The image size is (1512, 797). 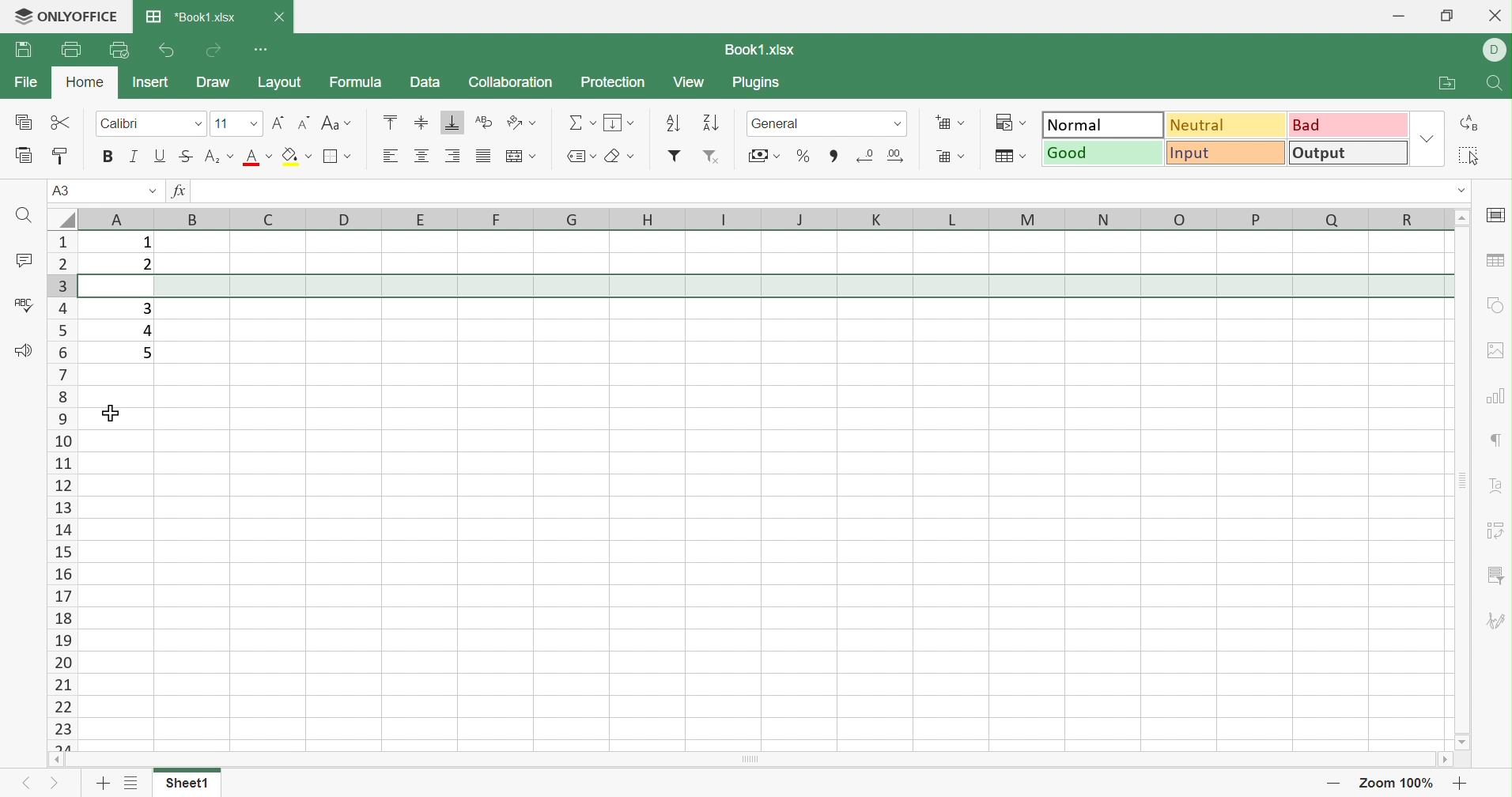 I want to click on 11, so click(x=221, y=123).